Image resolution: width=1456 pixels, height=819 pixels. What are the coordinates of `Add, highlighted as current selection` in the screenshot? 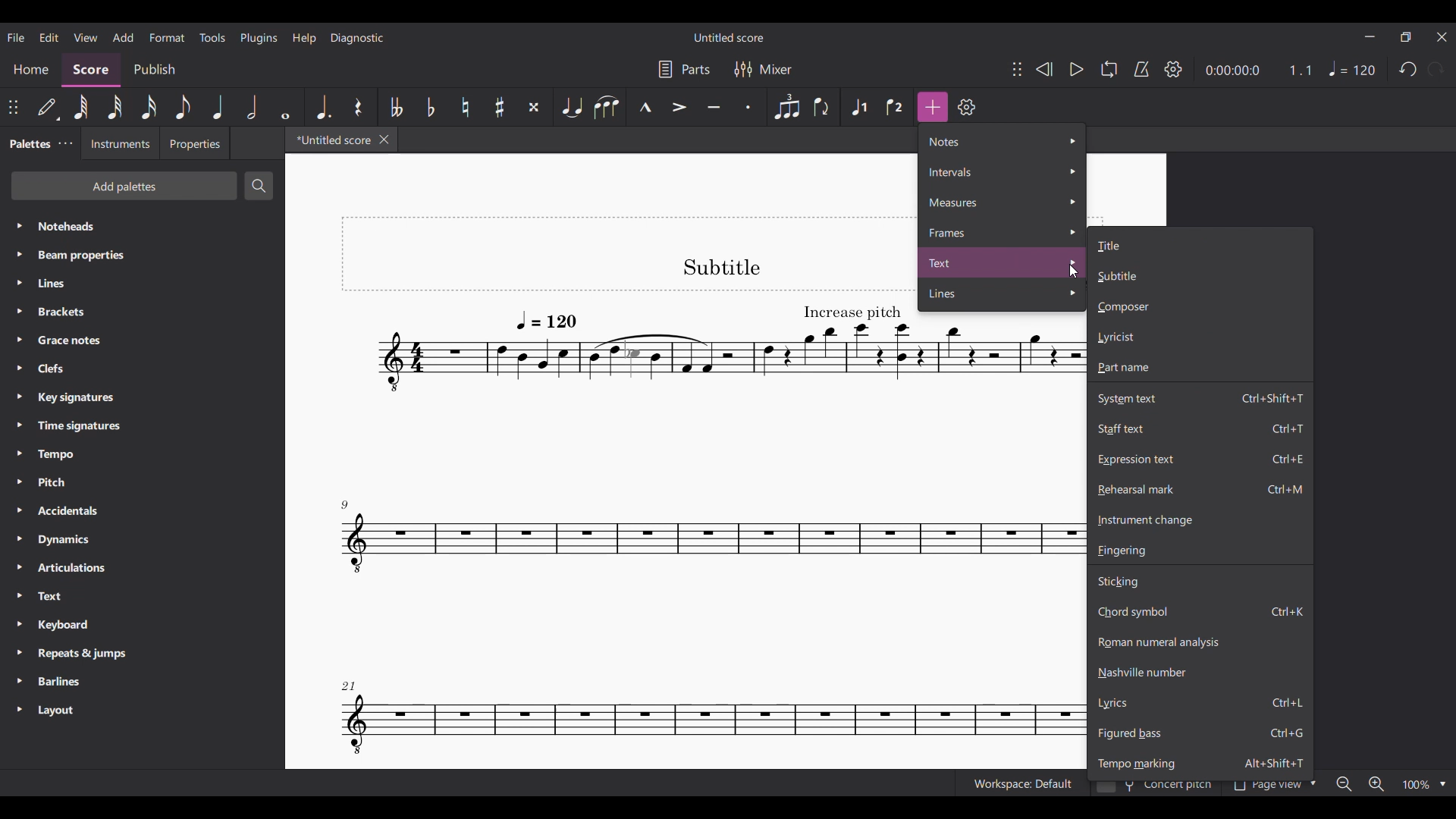 It's located at (933, 107).